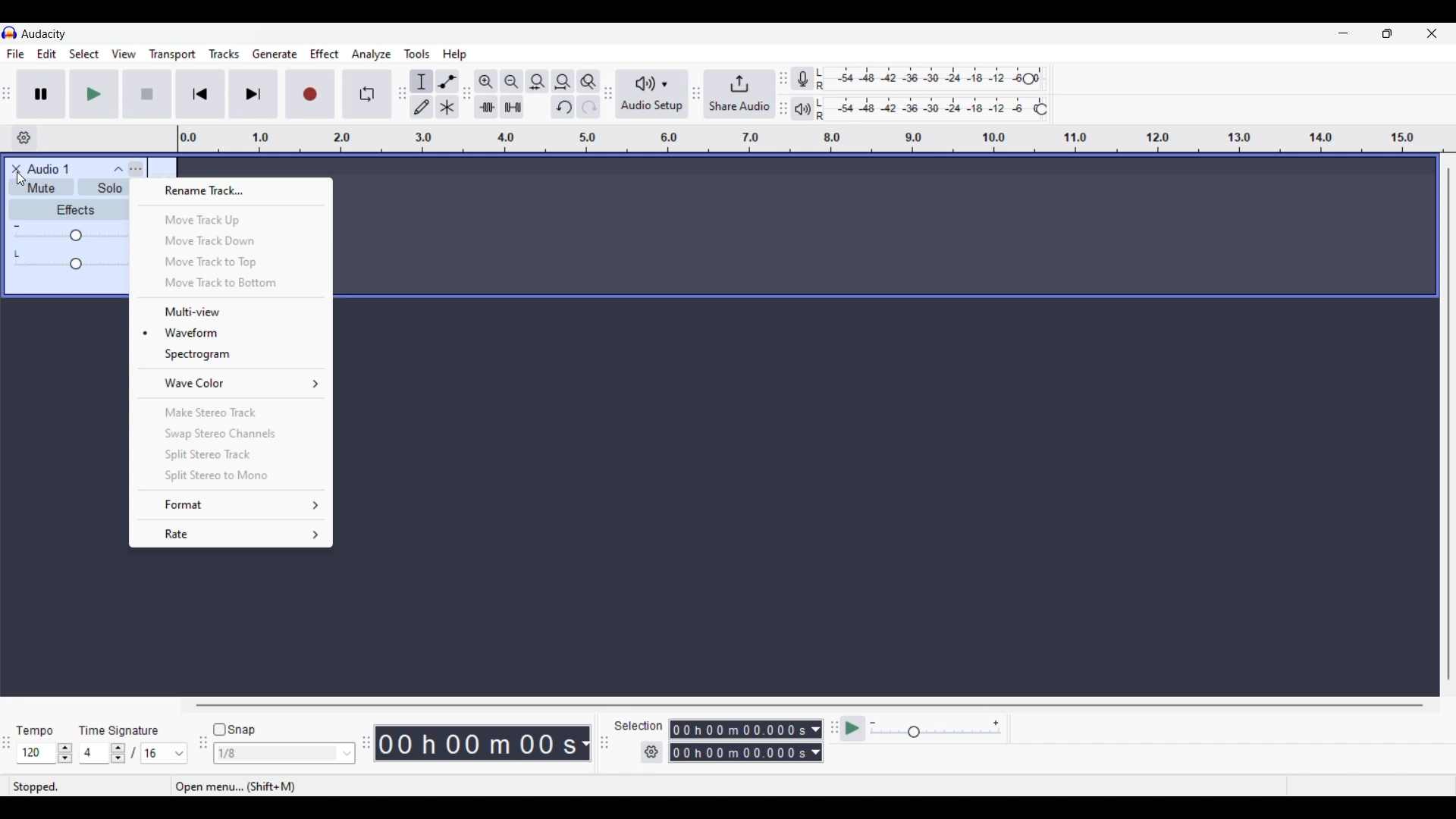  I want to click on Change recording level, so click(1028, 78).